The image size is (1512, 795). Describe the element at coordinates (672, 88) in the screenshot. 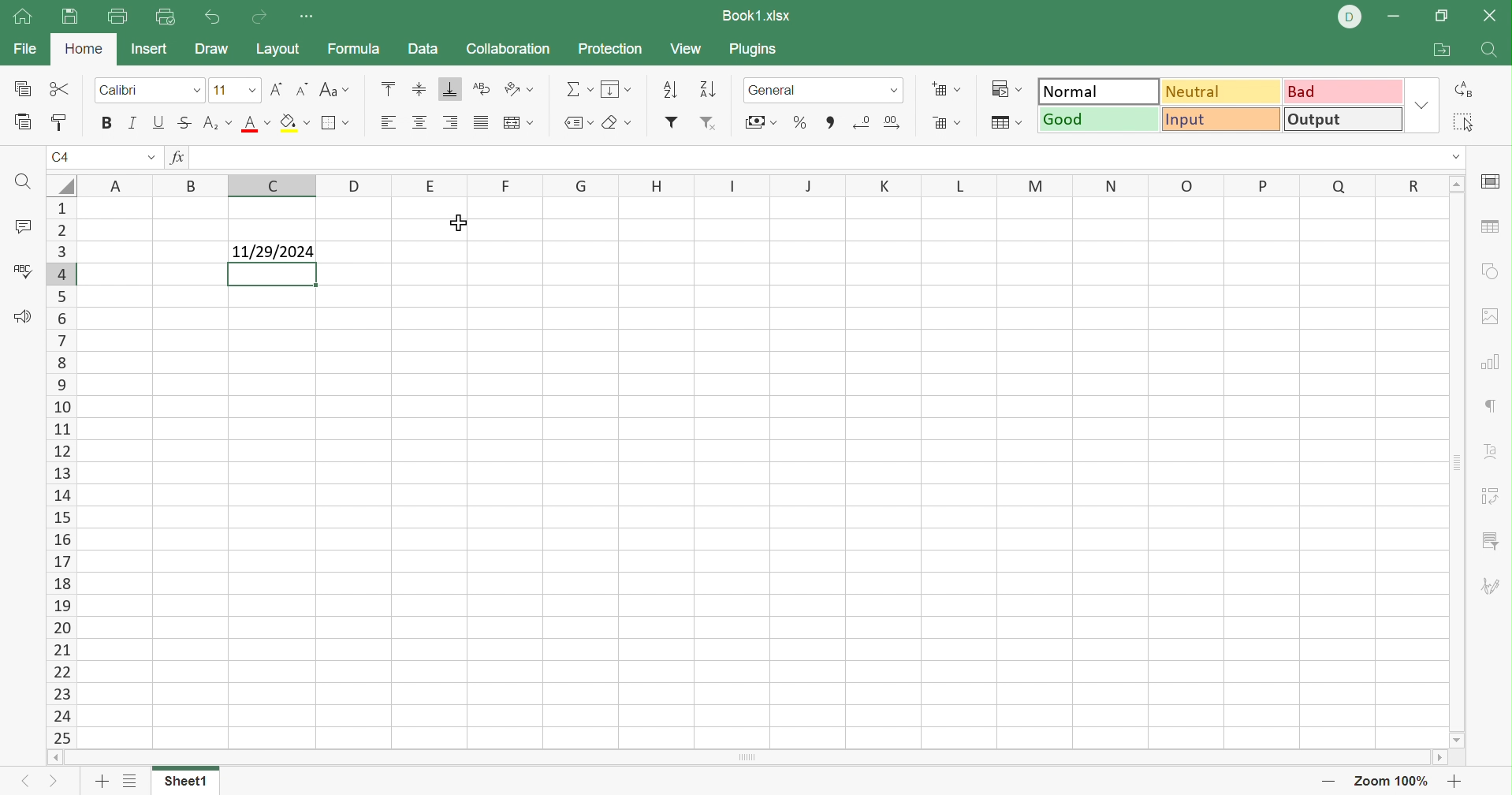

I see `Ascending order` at that location.